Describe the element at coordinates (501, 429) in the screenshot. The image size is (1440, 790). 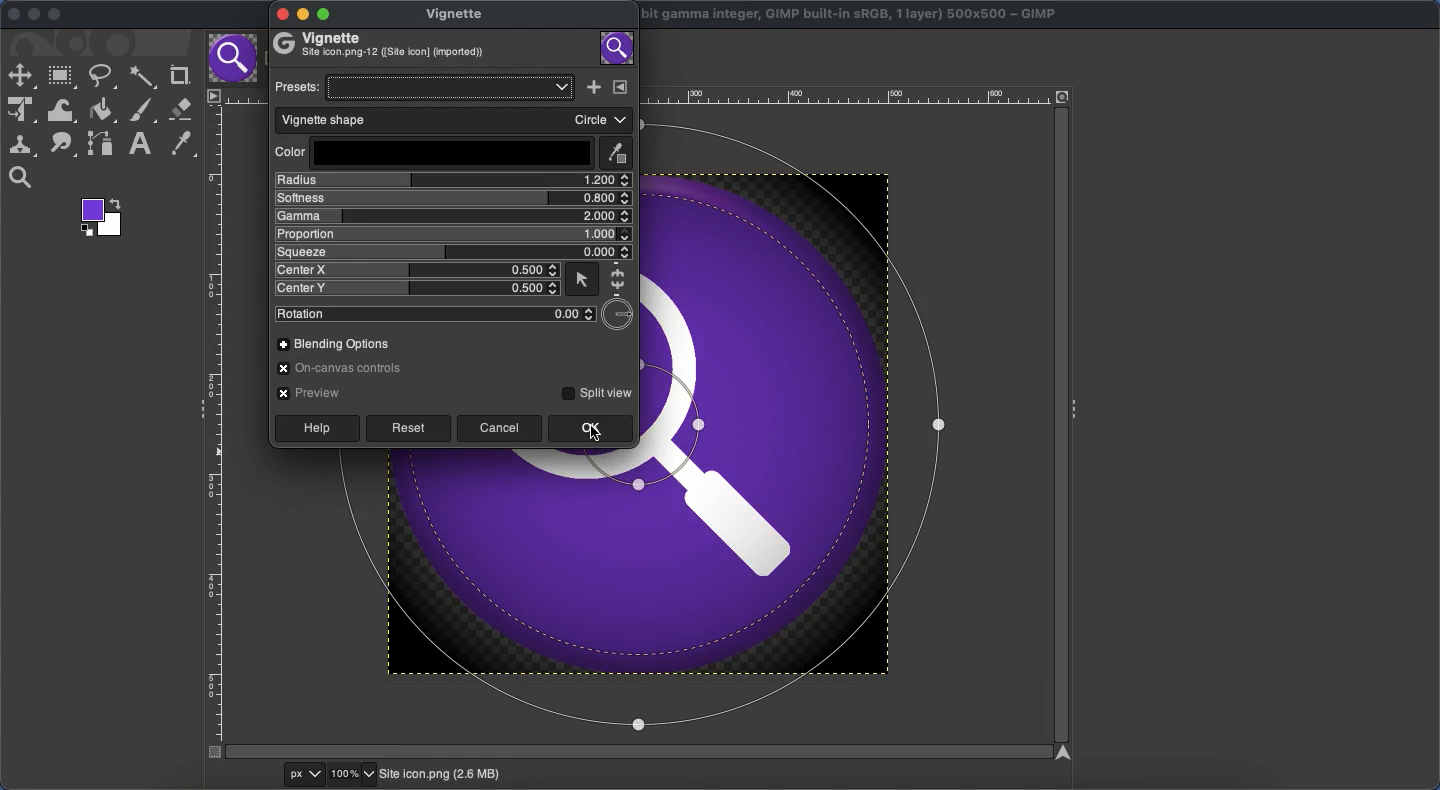
I see `Cancel` at that location.